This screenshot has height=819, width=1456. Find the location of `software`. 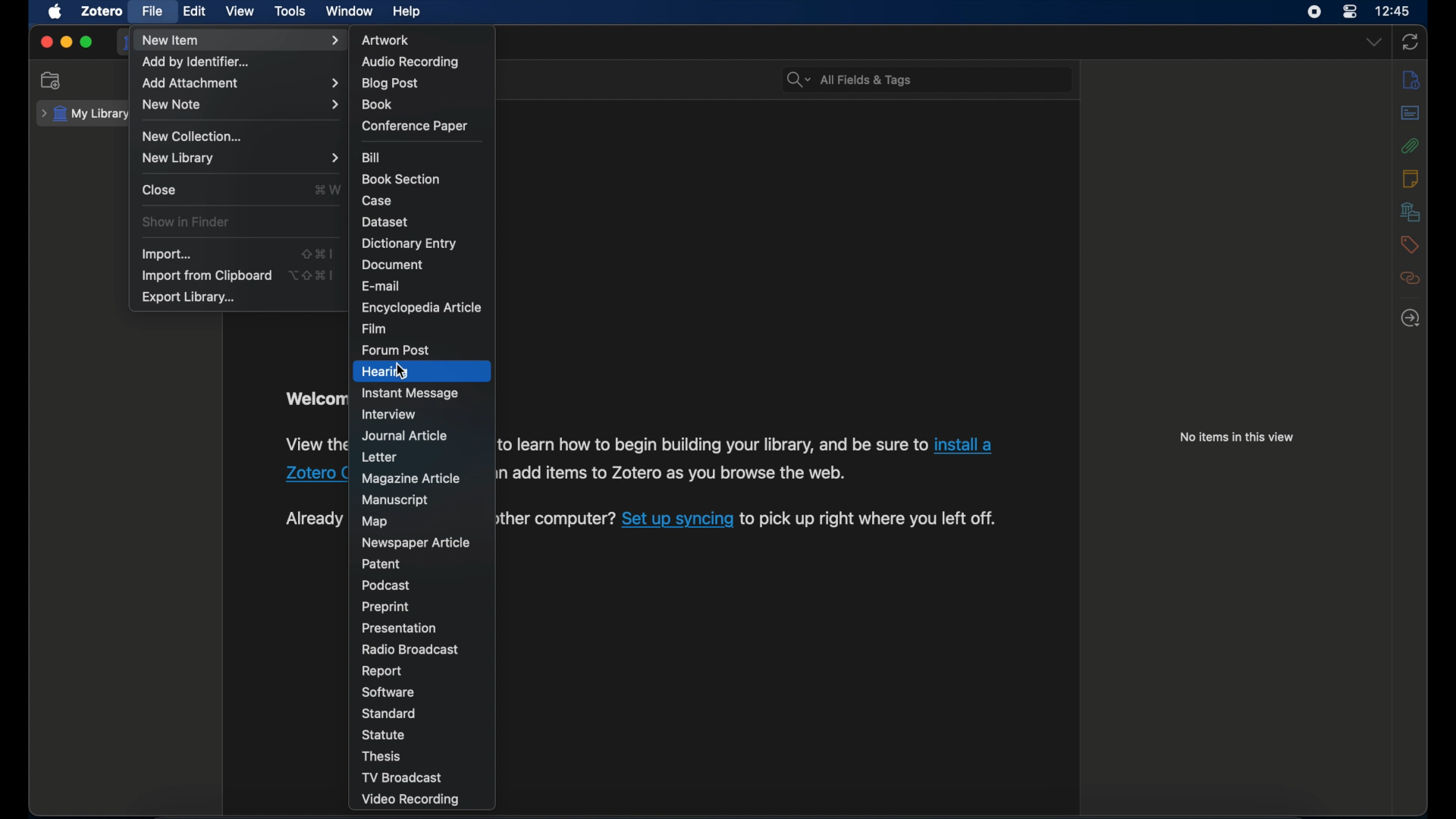

software is located at coordinates (388, 692).